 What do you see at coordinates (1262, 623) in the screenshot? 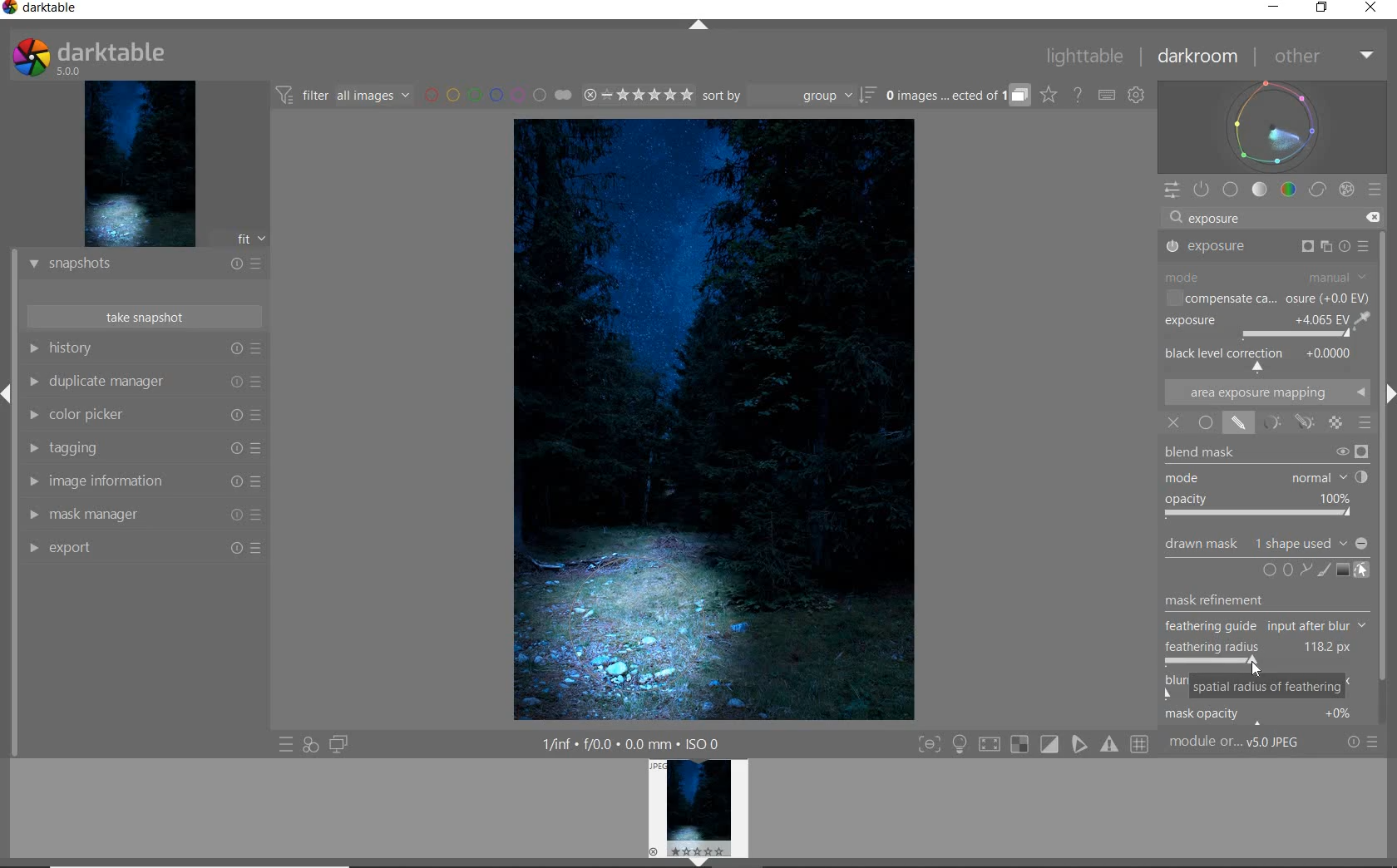
I see `feathering guide` at bounding box center [1262, 623].